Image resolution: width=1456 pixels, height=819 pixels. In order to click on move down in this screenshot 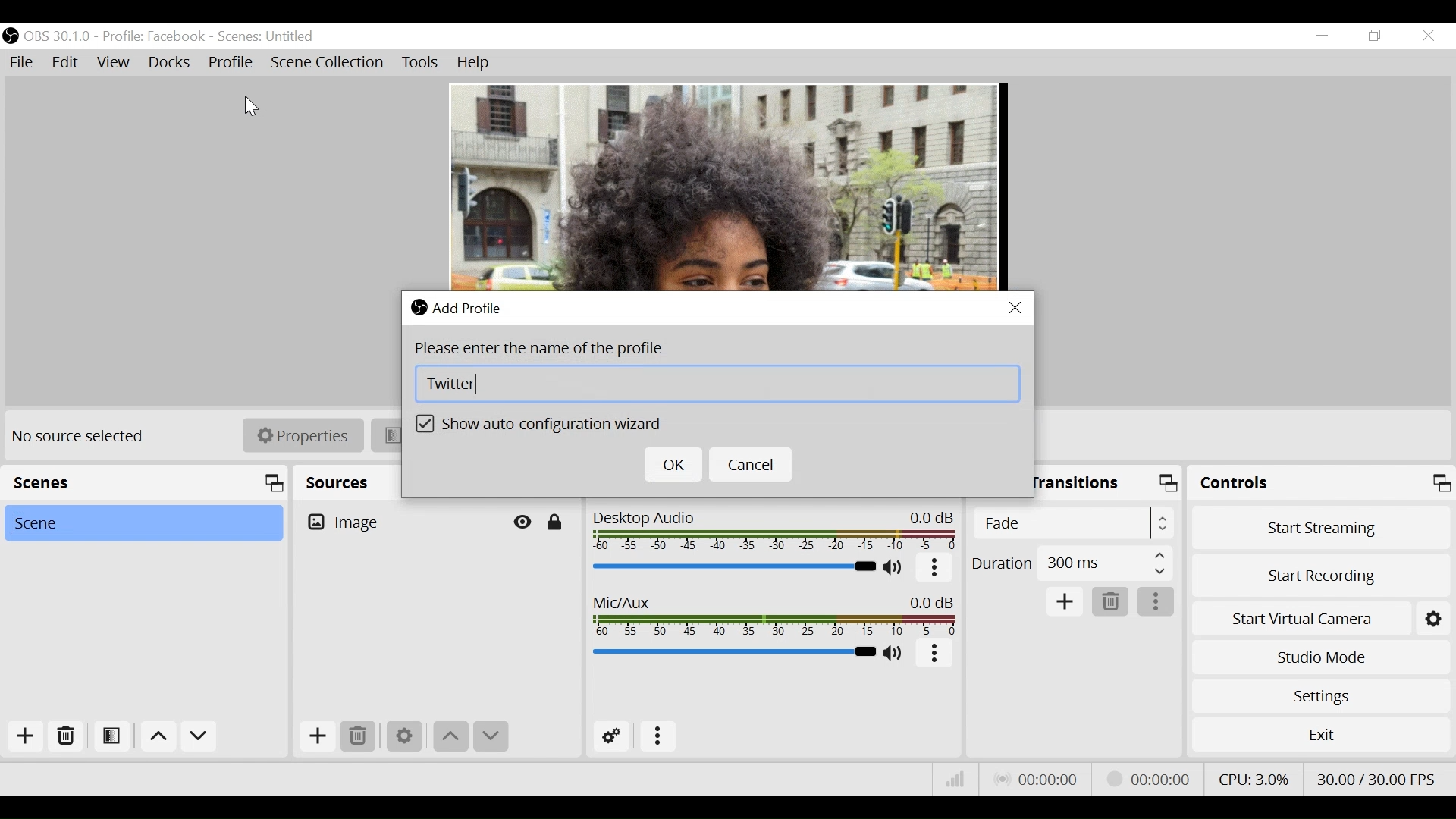, I will do `click(199, 737)`.